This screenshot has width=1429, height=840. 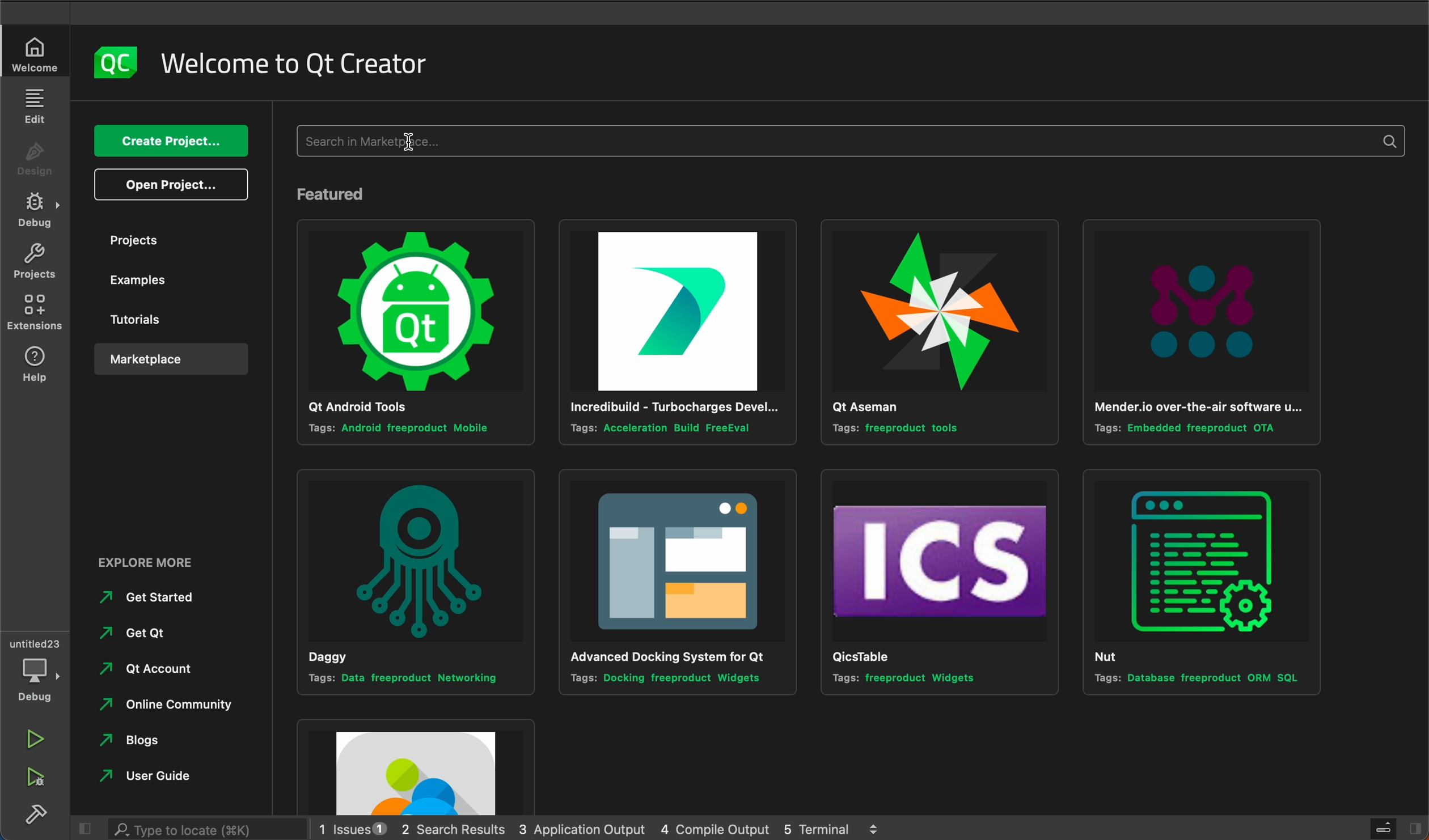 I want to click on search bar, so click(x=853, y=142).